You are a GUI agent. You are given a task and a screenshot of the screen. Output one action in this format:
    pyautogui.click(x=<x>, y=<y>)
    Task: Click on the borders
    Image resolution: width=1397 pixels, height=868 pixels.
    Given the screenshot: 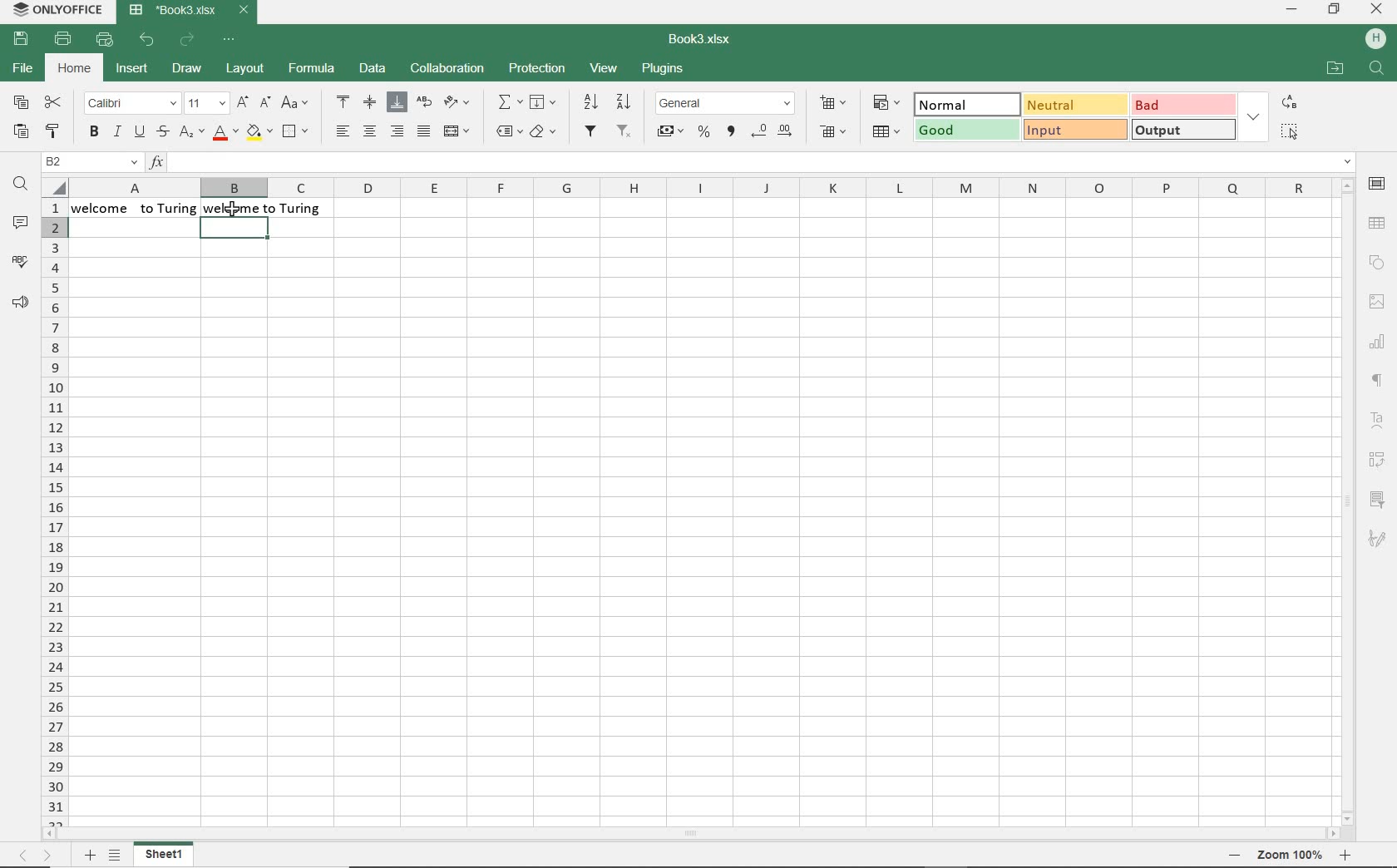 What is the action you would take?
    pyautogui.click(x=295, y=132)
    